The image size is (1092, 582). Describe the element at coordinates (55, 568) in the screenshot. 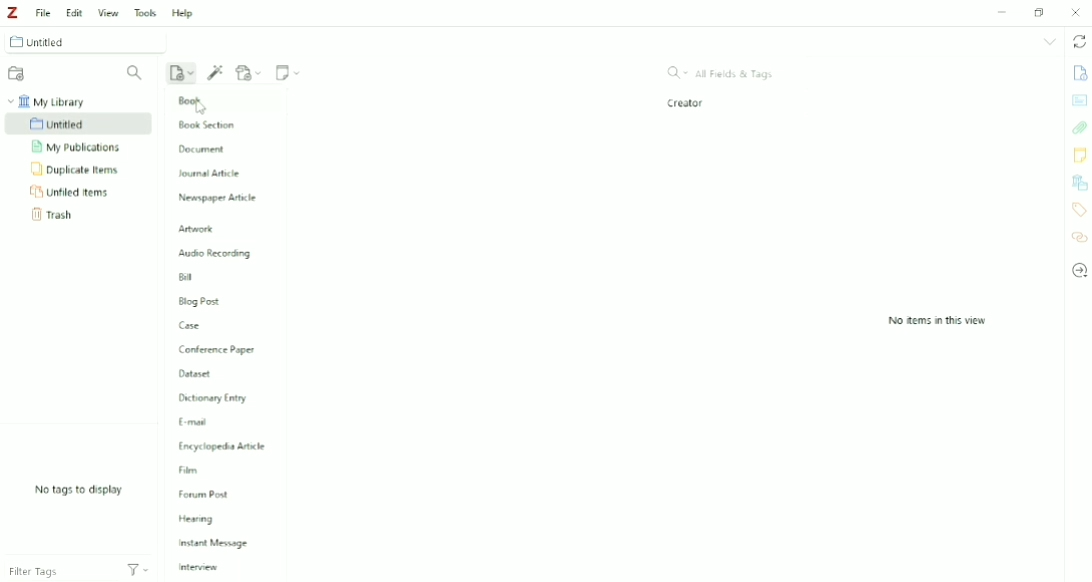

I see `Filter Tags` at that location.